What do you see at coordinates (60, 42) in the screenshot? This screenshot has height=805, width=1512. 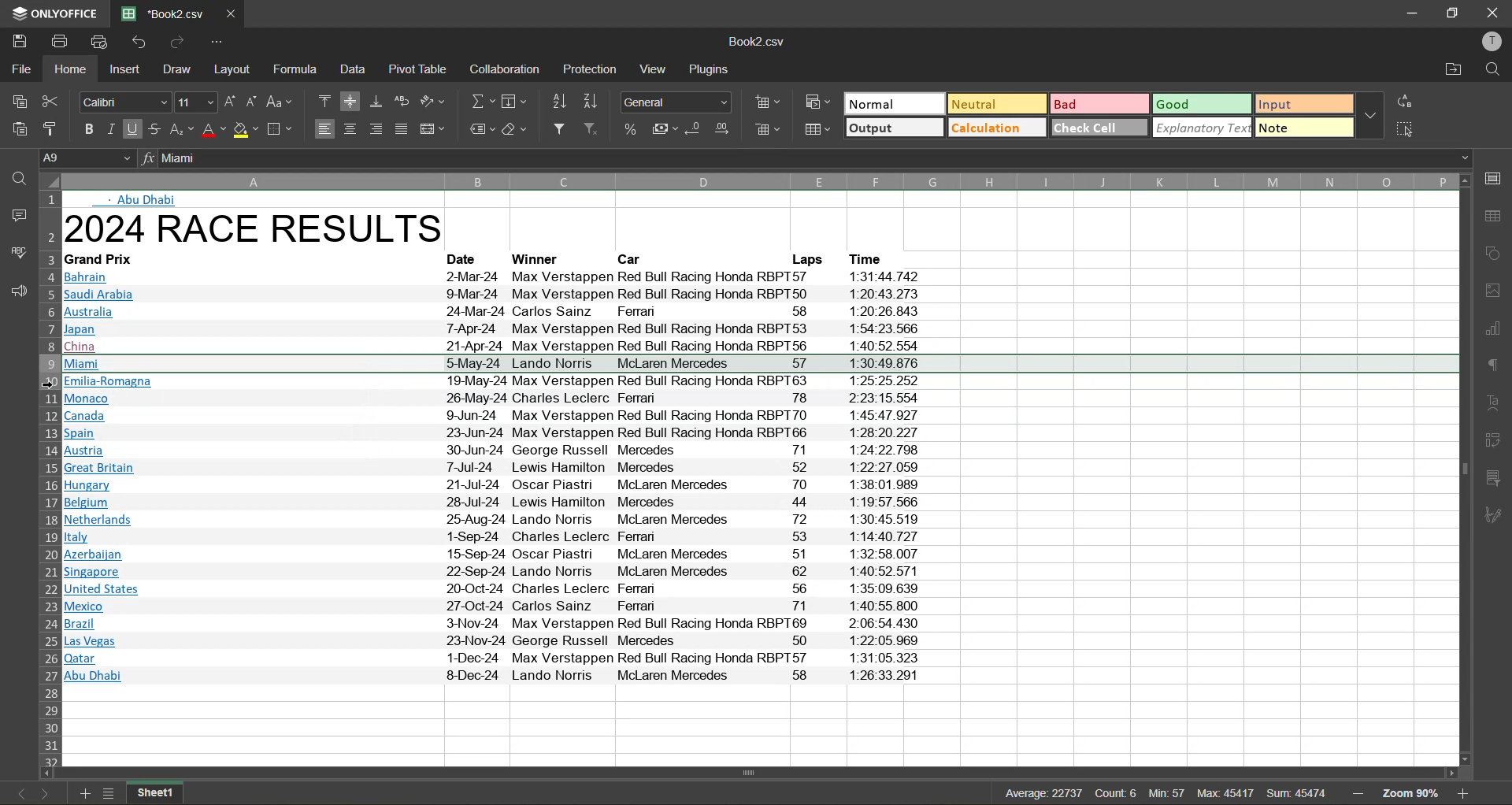 I see `print` at bounding box center [60, 42].